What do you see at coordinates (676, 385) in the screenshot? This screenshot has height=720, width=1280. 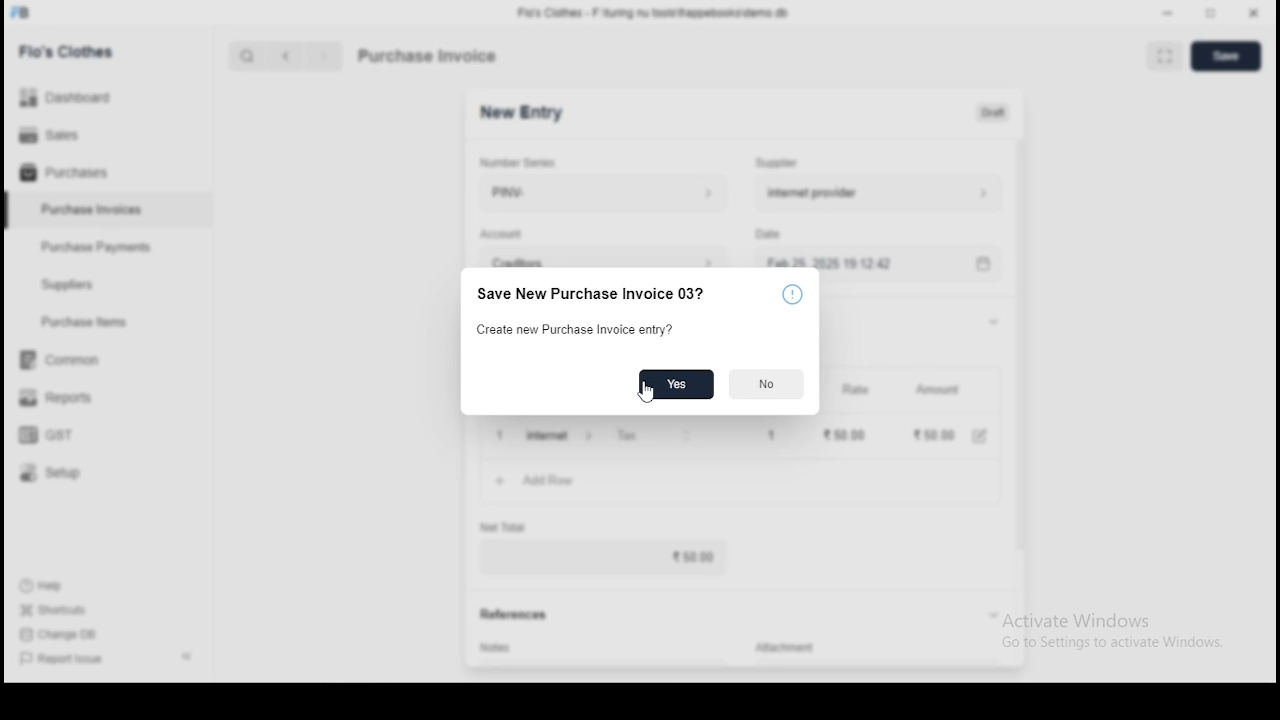 I see `yes` at bounding box center [676, 385].